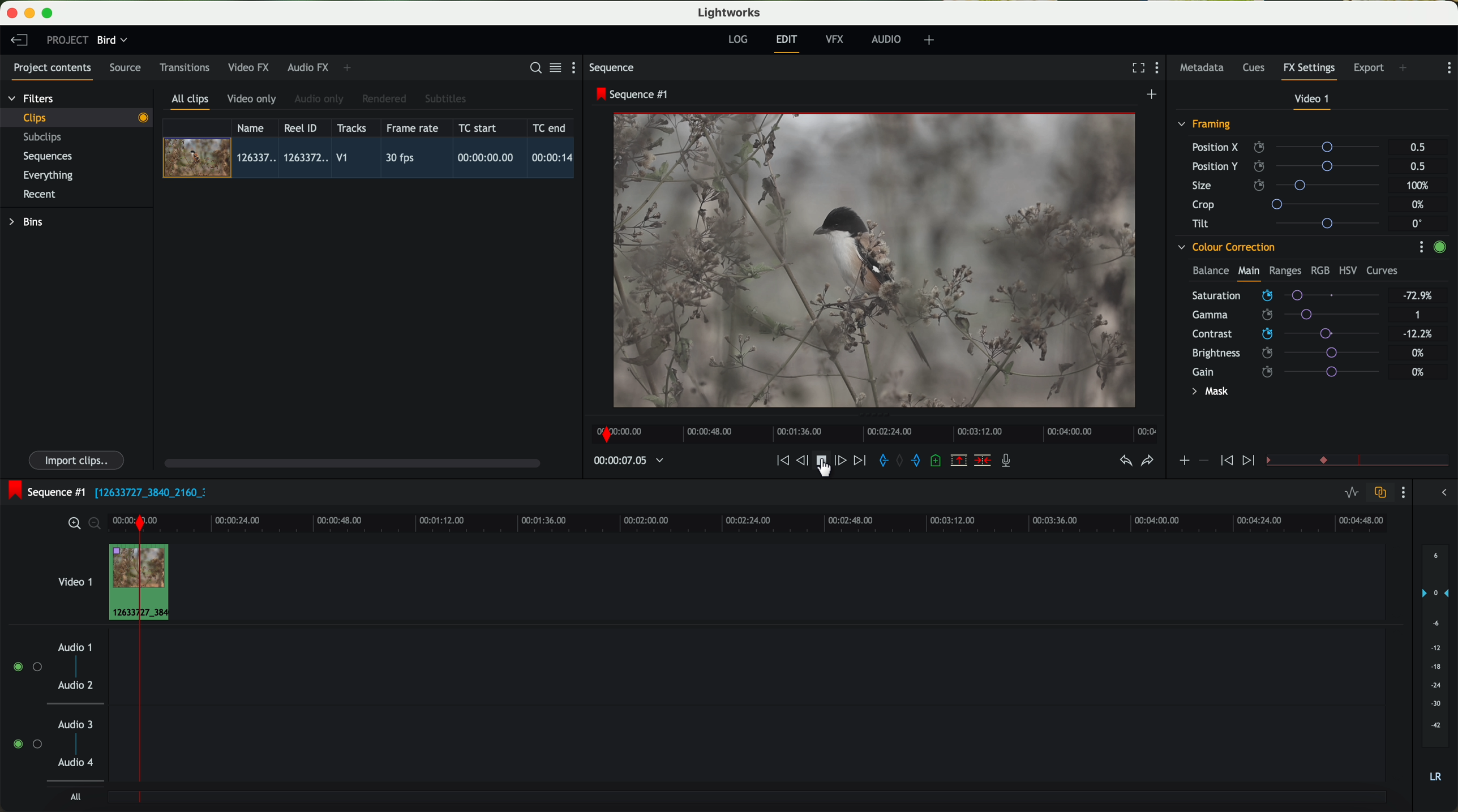 The image size is (1458, 812). What do you see at coordinates (49, 14) in the screenshot?
I see `maximize program` at bounding box center [49, 14].